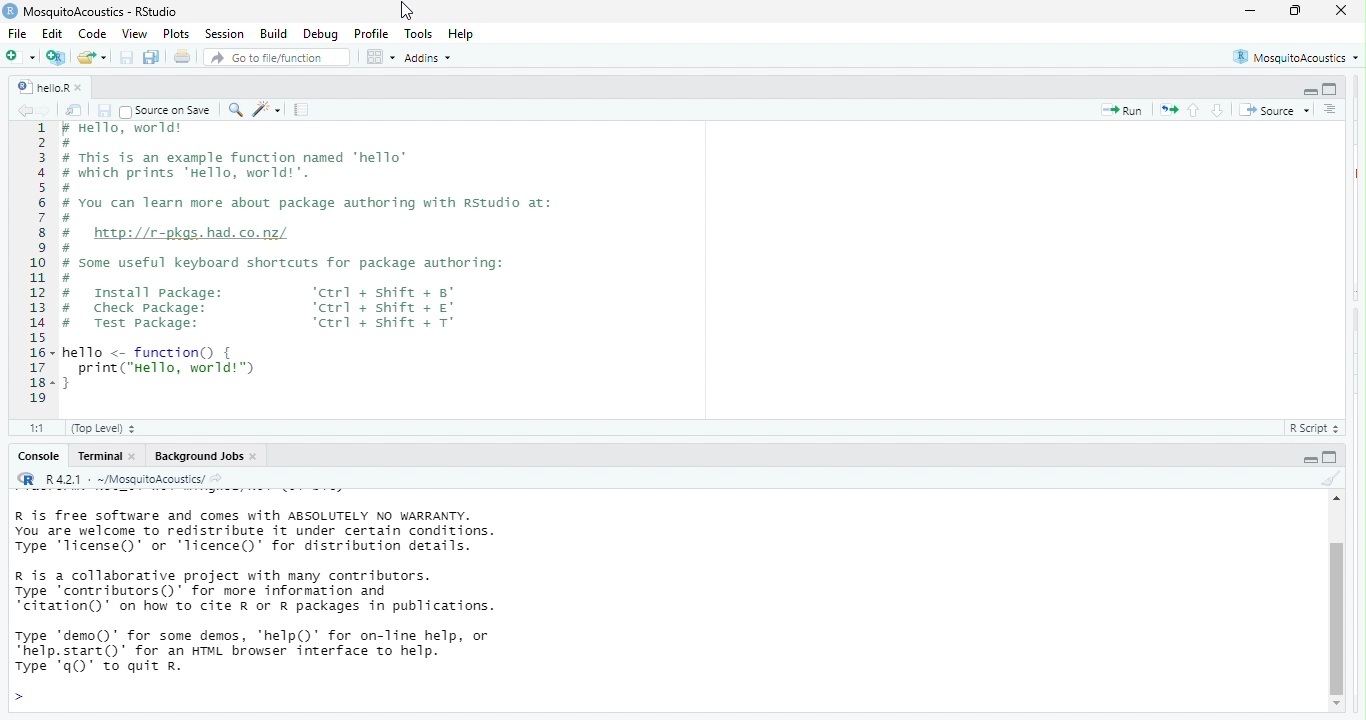 The width and height of the screenshot is (1366, 720). I want to click on typing cursor, so click(26, 697).